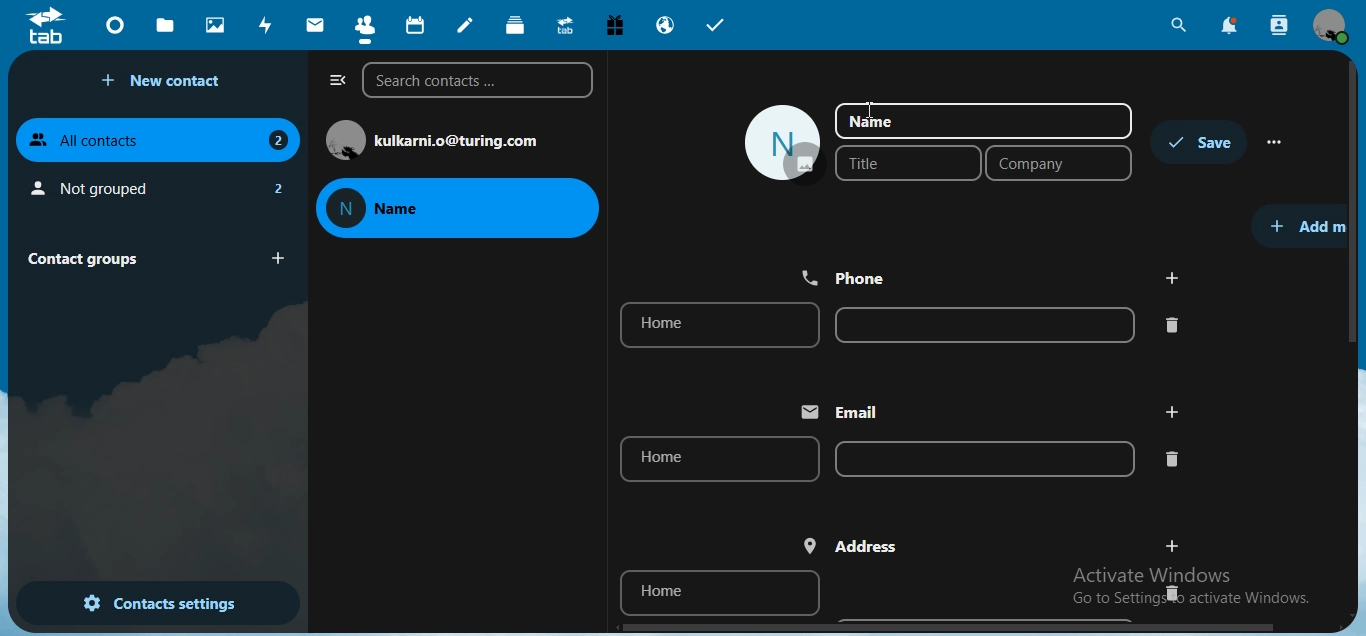 This screenshot has width=1366, height=636. I want to click on name, so click(460, 206).